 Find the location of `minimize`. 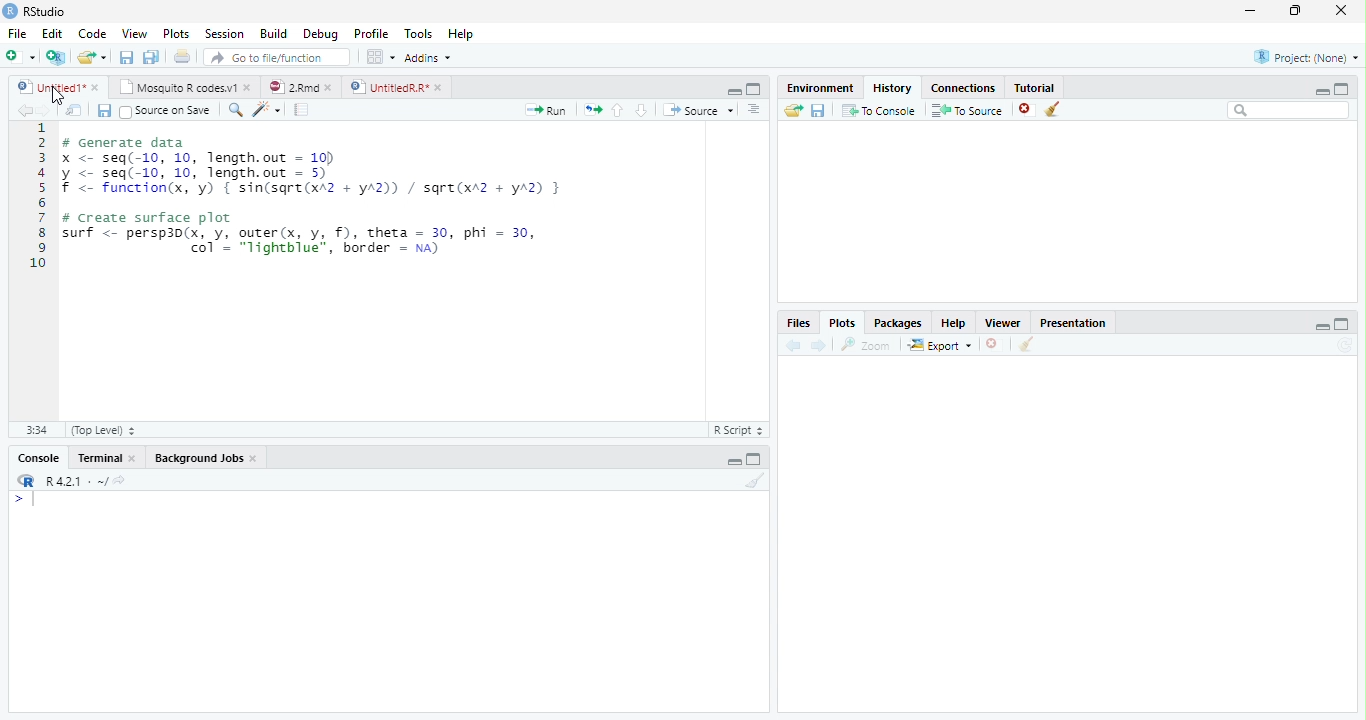

minimize is located at coordinates (1322, 327).